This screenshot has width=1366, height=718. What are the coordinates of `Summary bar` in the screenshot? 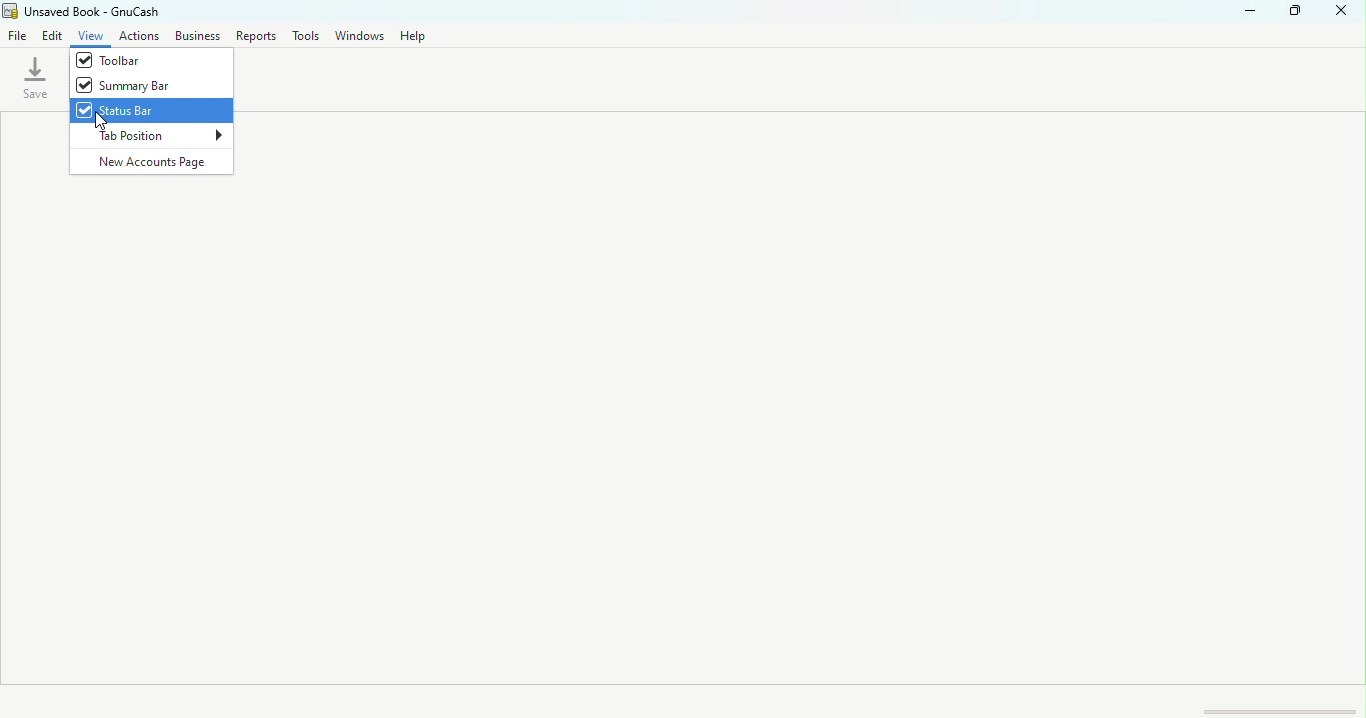 It's located at (125, 83).